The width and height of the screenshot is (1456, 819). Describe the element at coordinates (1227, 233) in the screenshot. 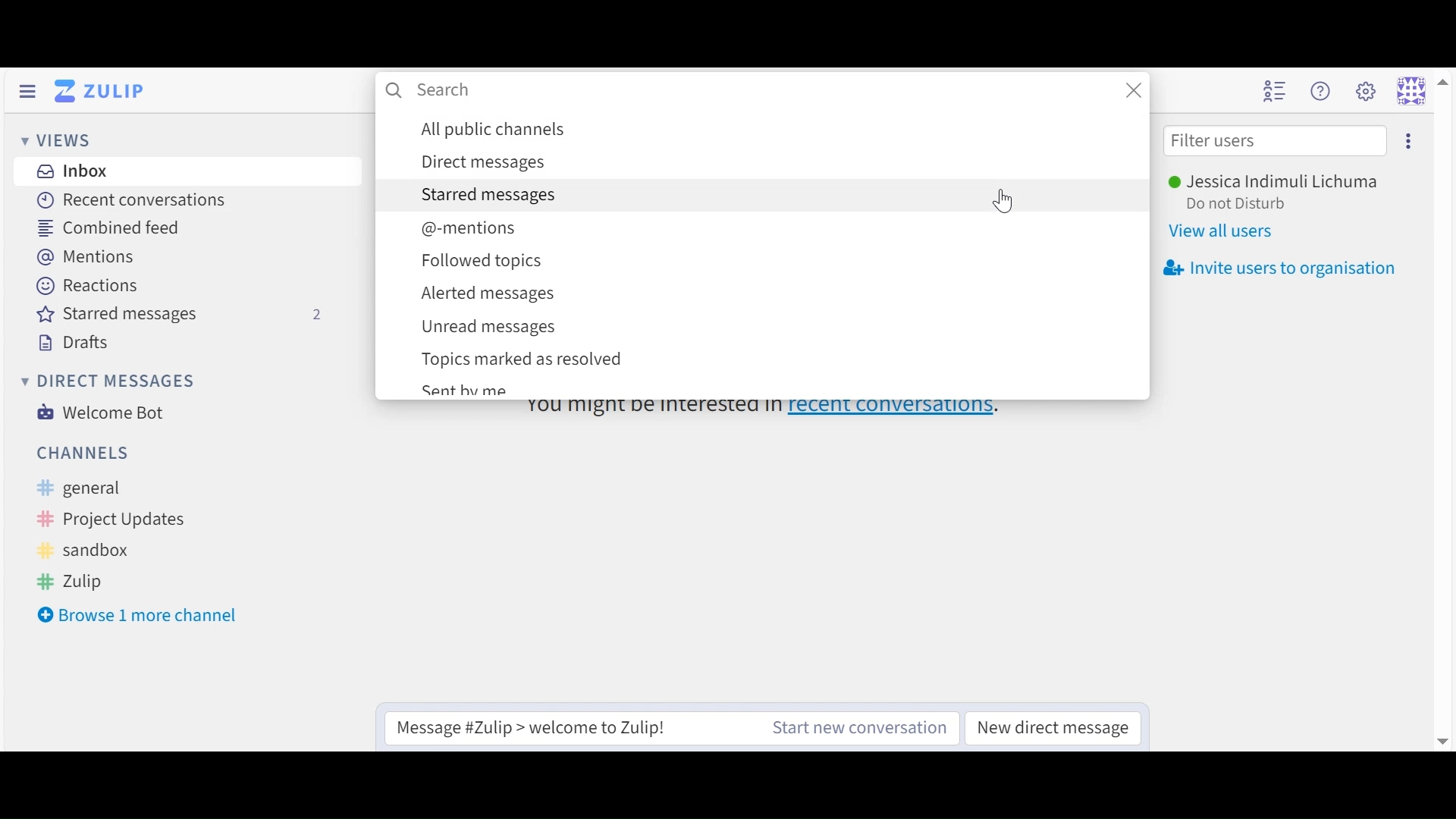

I see `View all users` at that location.